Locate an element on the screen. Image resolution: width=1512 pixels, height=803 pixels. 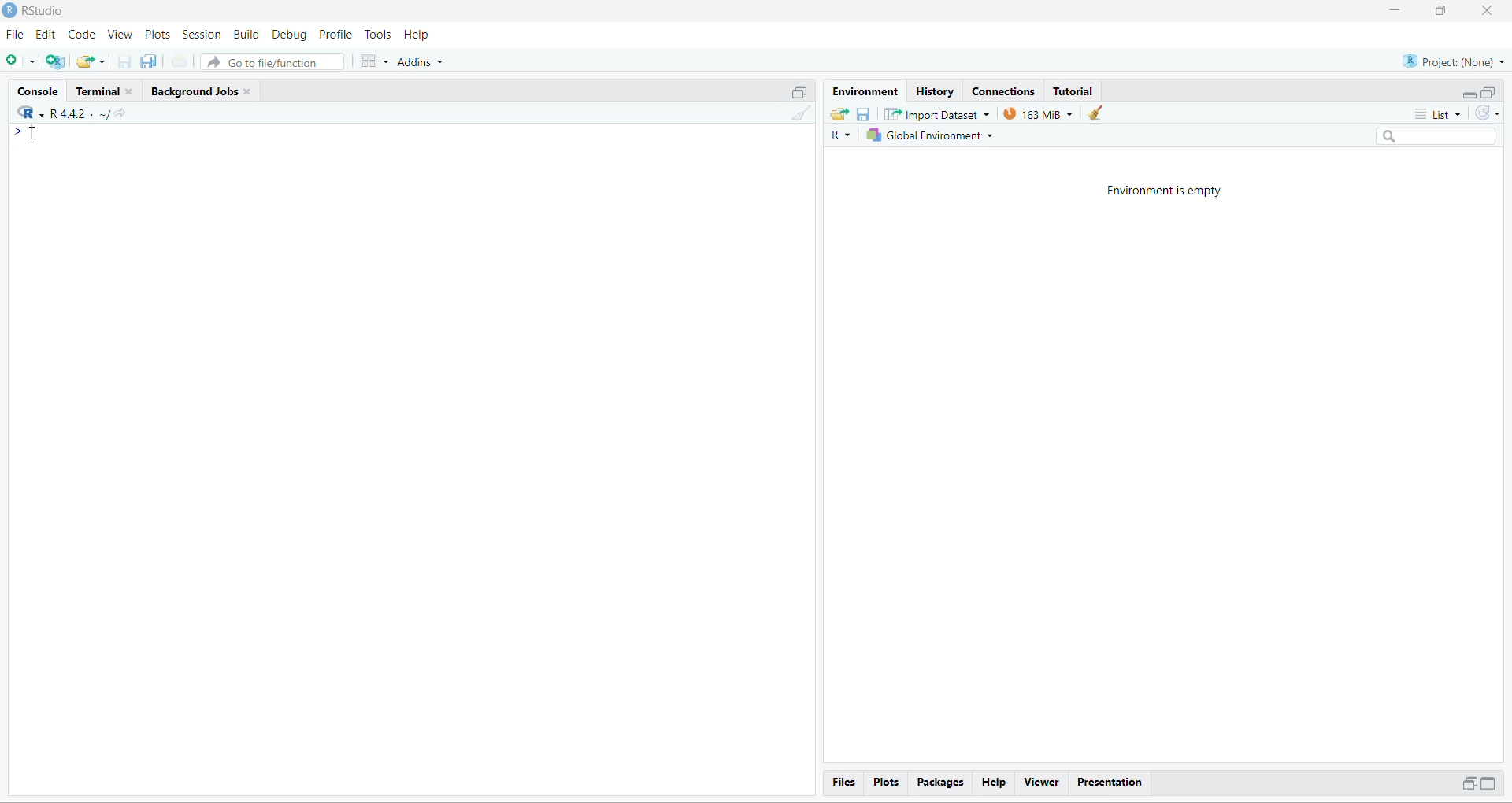
Build is located at coordinates (246, 34).